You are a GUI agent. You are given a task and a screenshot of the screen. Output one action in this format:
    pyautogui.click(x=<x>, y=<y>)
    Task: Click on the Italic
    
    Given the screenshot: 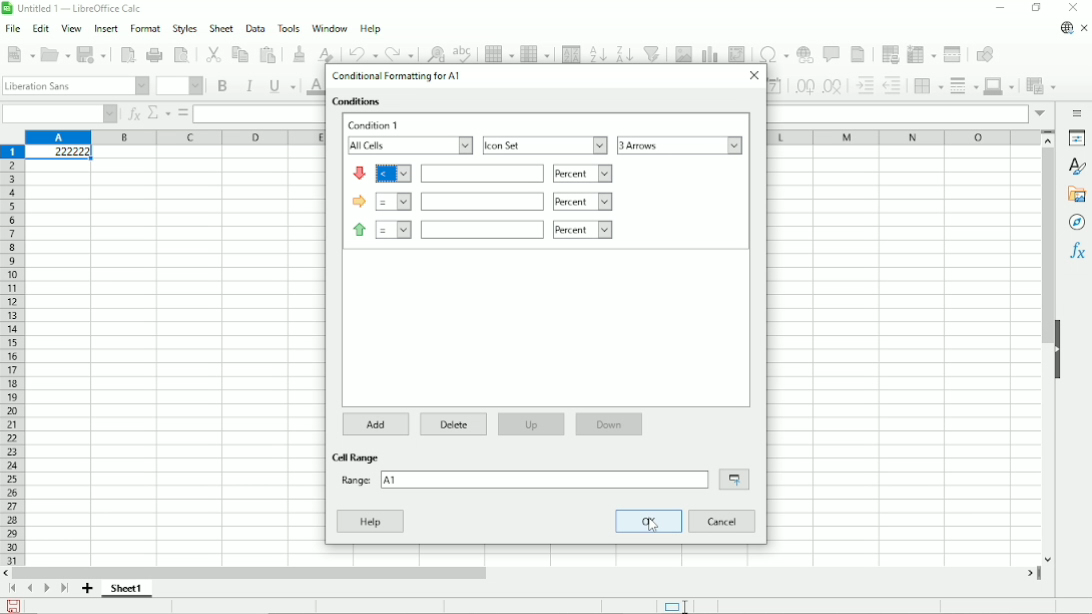 What is the action you would take?
    pyautogui.click(x=249, y=86)
    